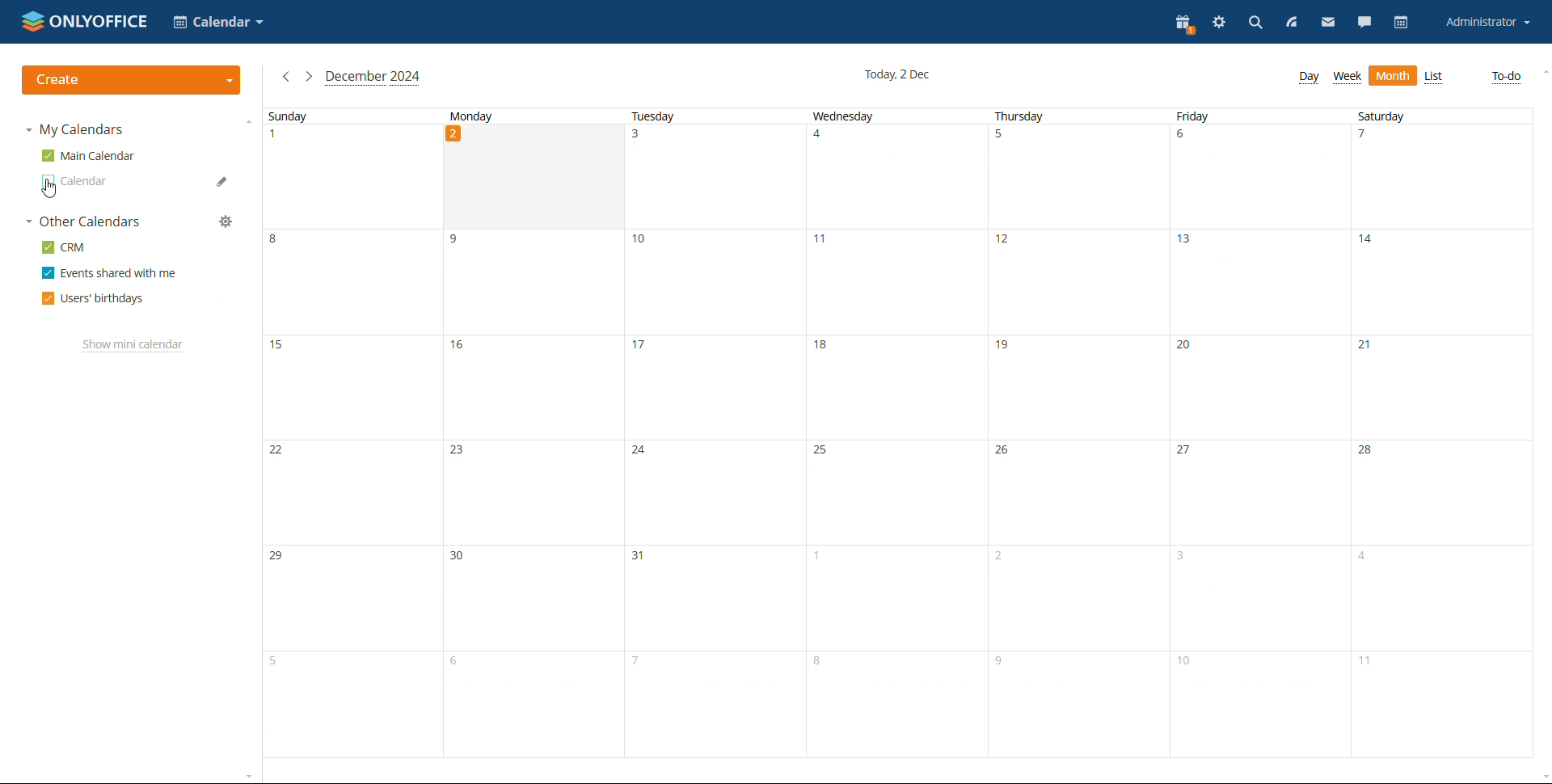 The image size is (1552, 784). Describe the element at coordinates (897, 432) in the screenshot. I see `wednesday` at that location.